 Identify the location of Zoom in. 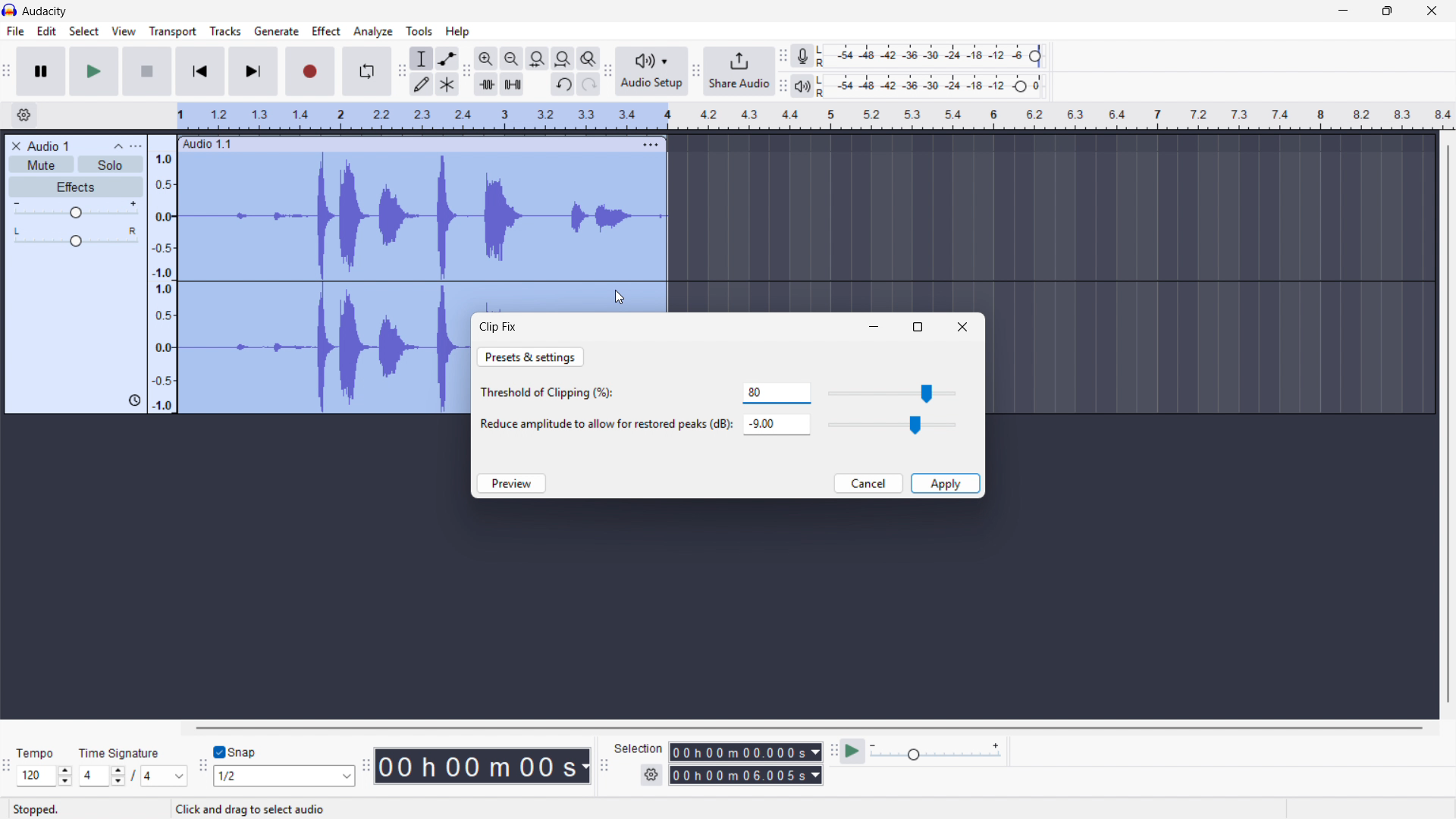
(486, 58).